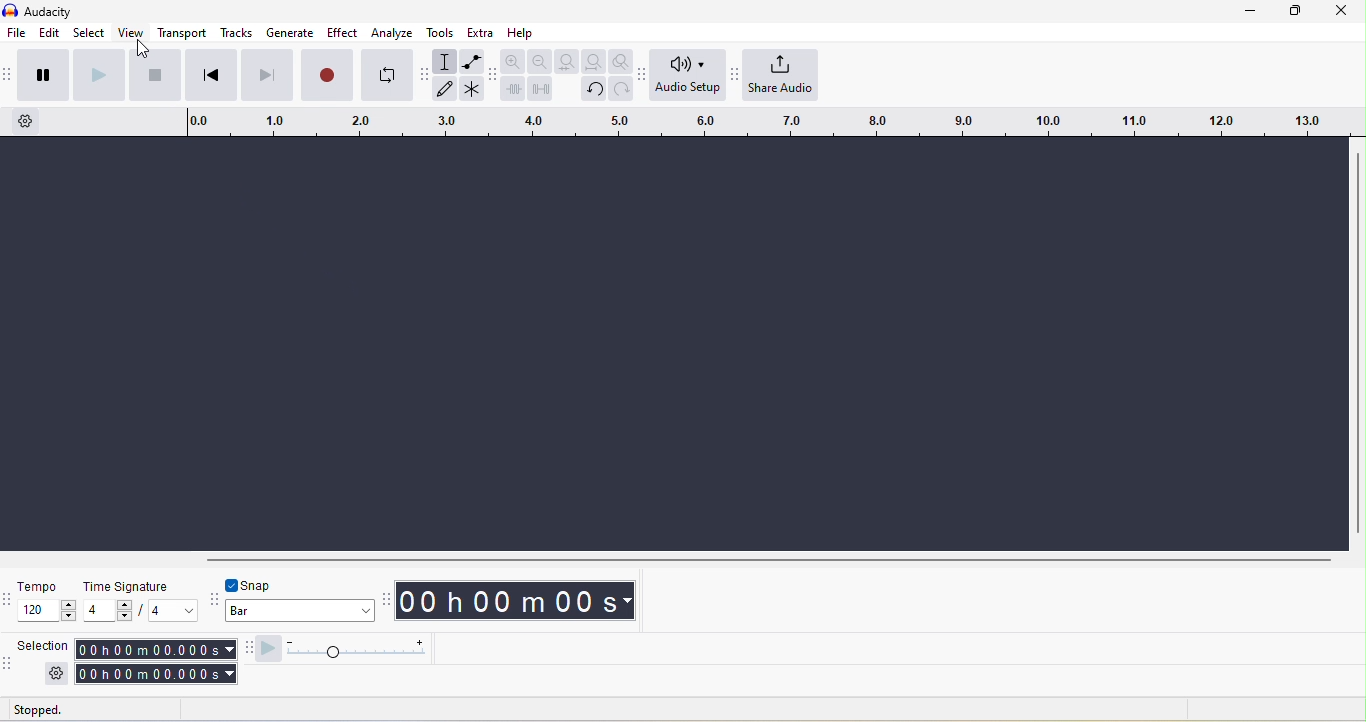  Describe the element at coordinates (9, 76) in the screenshot. I see `audacity transport toolbar` at that location.